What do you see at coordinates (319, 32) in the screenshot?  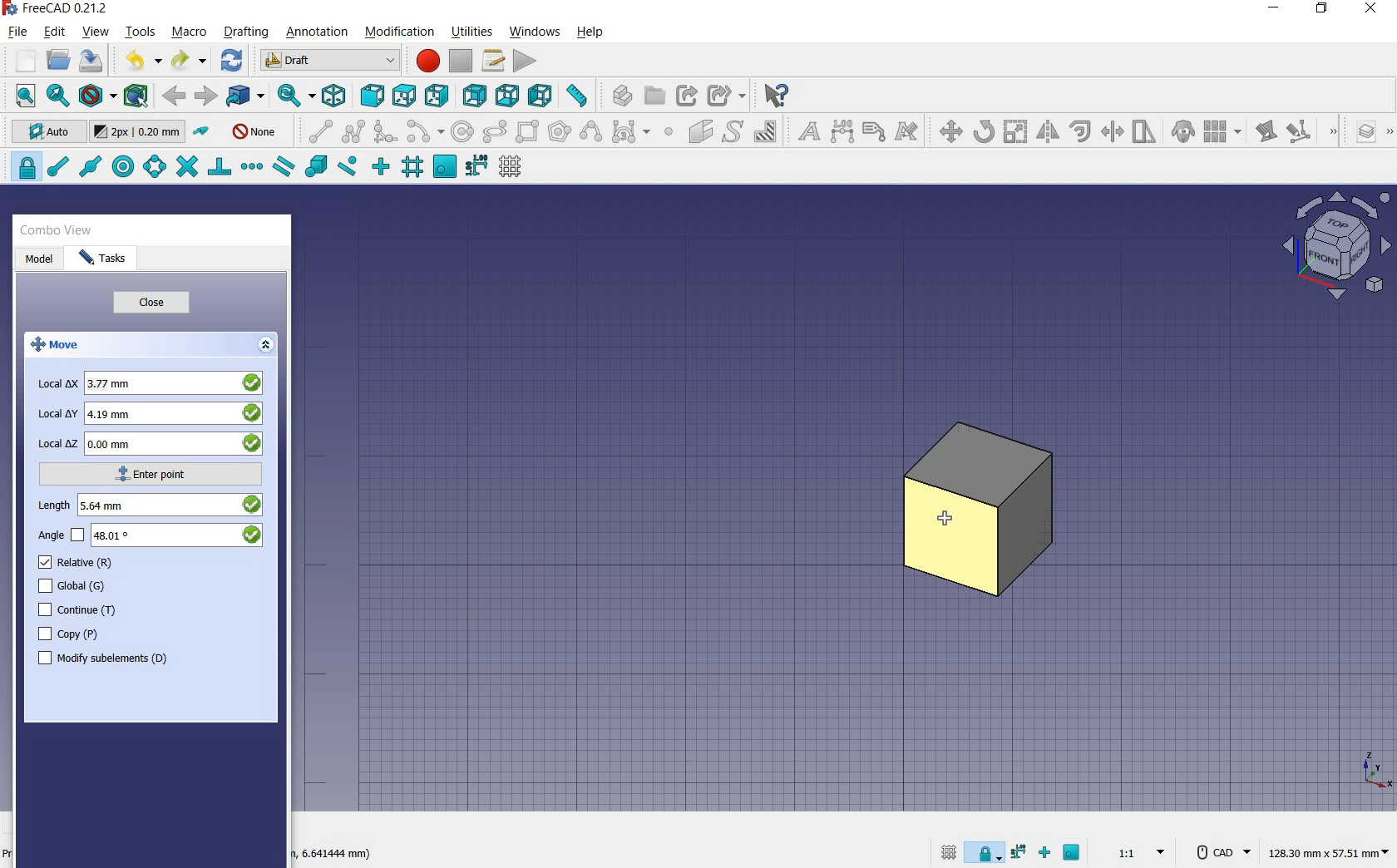 I see `annotation` at bounding box center [319, 32].